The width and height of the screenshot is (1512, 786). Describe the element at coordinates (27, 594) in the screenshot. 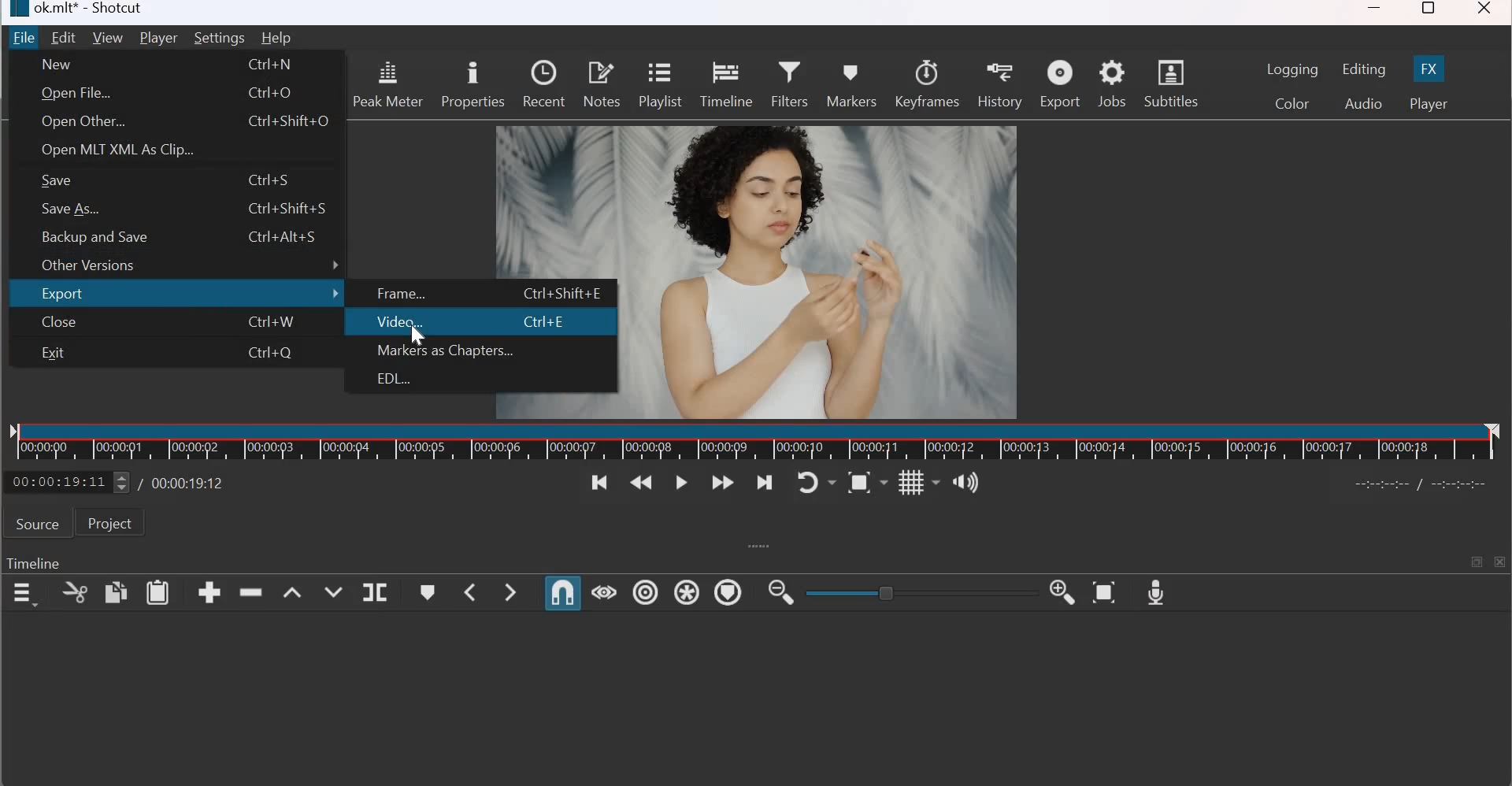

I see `timeline menu ` at that location.